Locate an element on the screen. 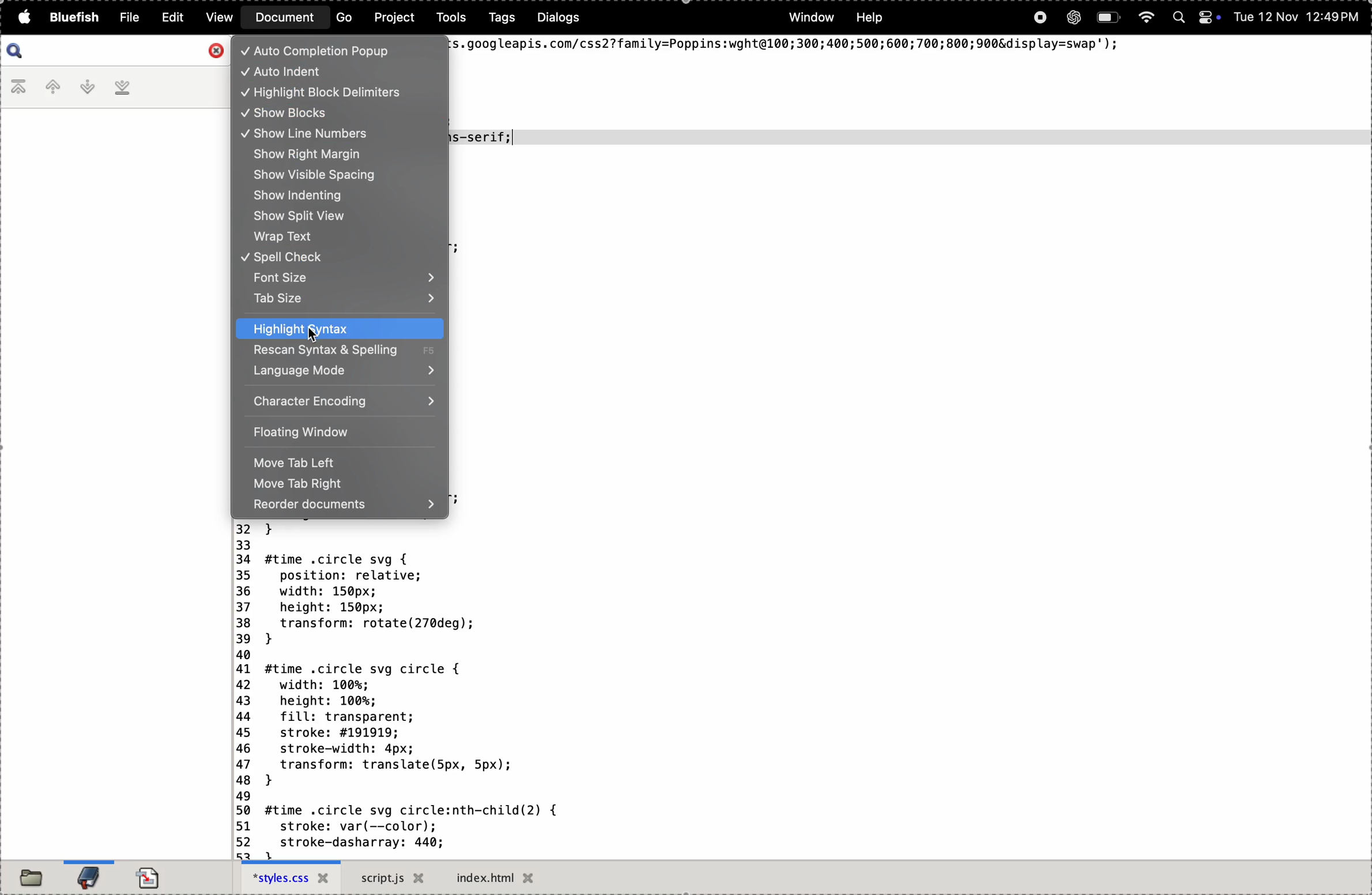 This screenshot has height=895, width=1372. font size is located at coordinates (338, 277).